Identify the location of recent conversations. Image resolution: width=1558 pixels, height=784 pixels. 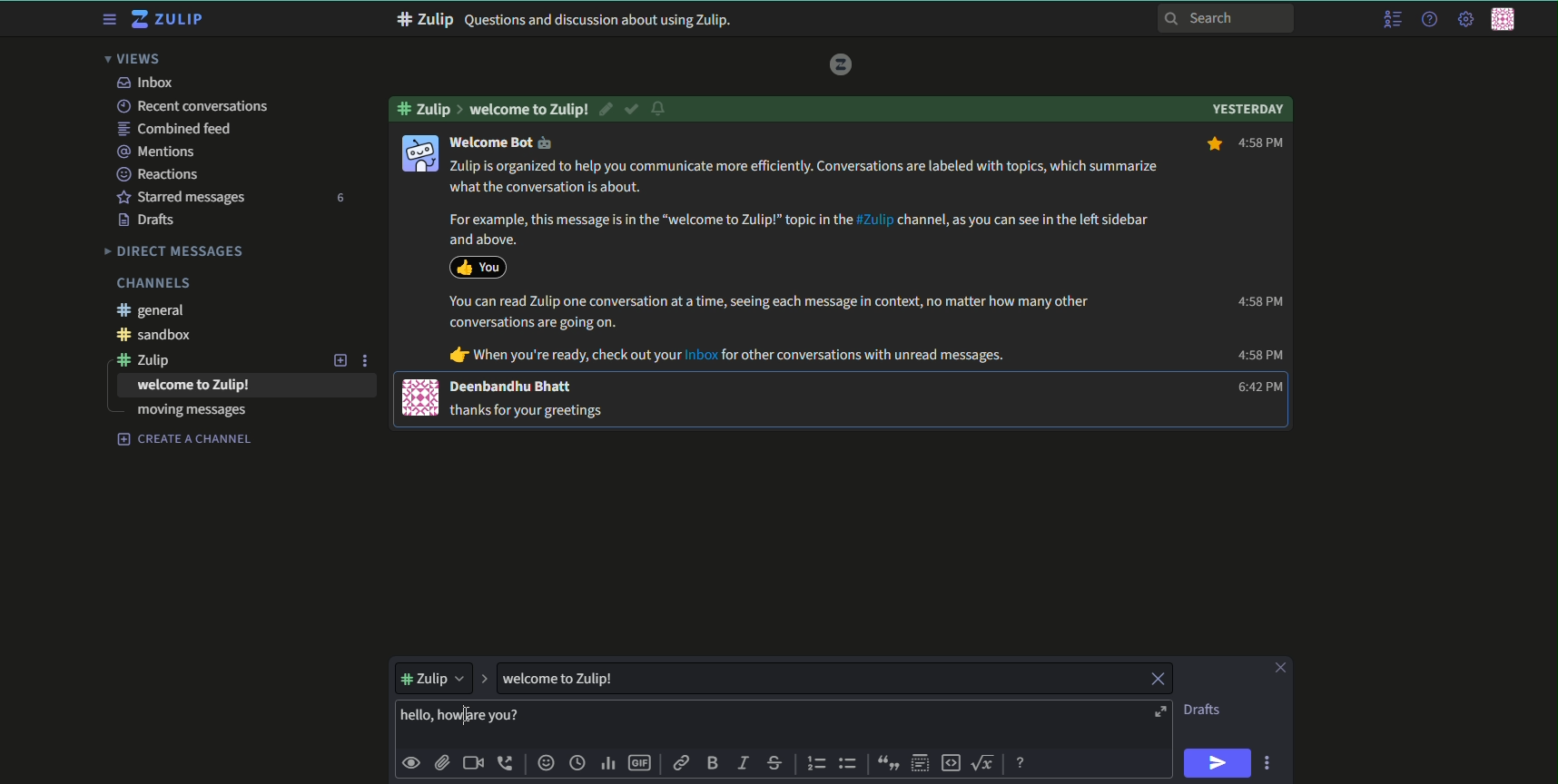
(192, 106).